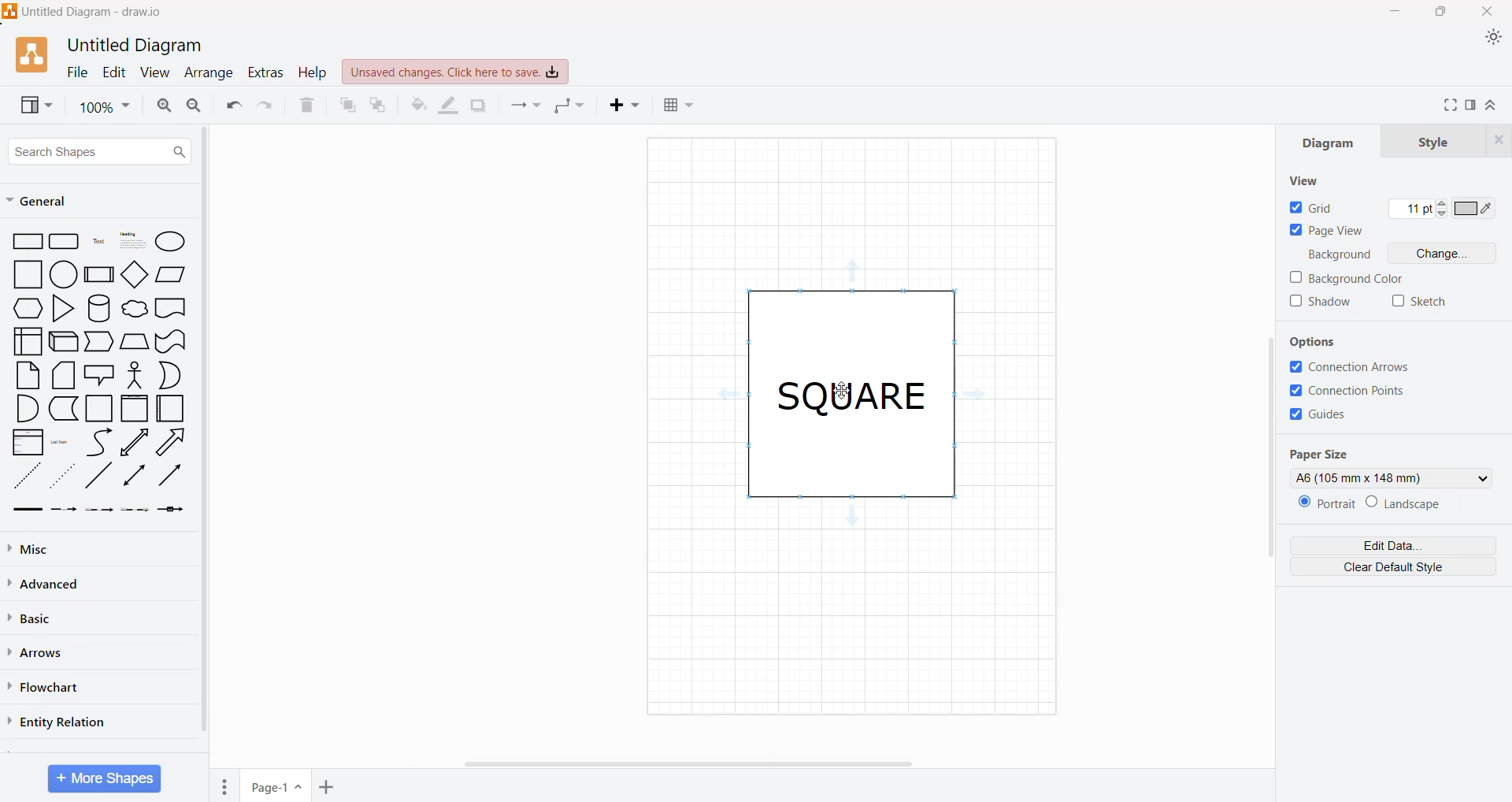 The image size is (1512, 802). What do you see at coordinates (101, 373) in the screenshot?
I see `Speech Bubble` at bounding box center [101, 373].